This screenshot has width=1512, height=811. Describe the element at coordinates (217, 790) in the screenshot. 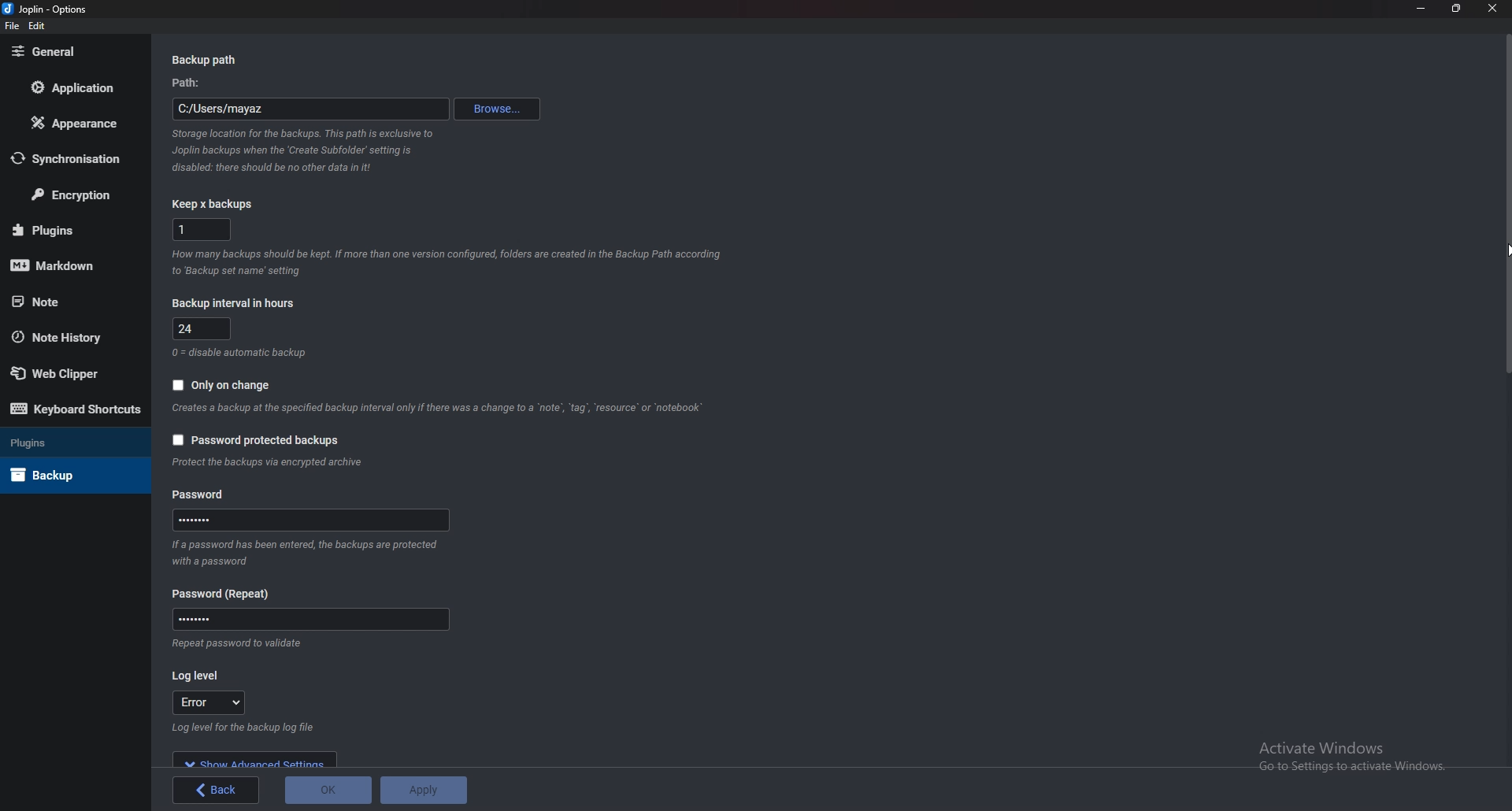

I see `back` at that location.